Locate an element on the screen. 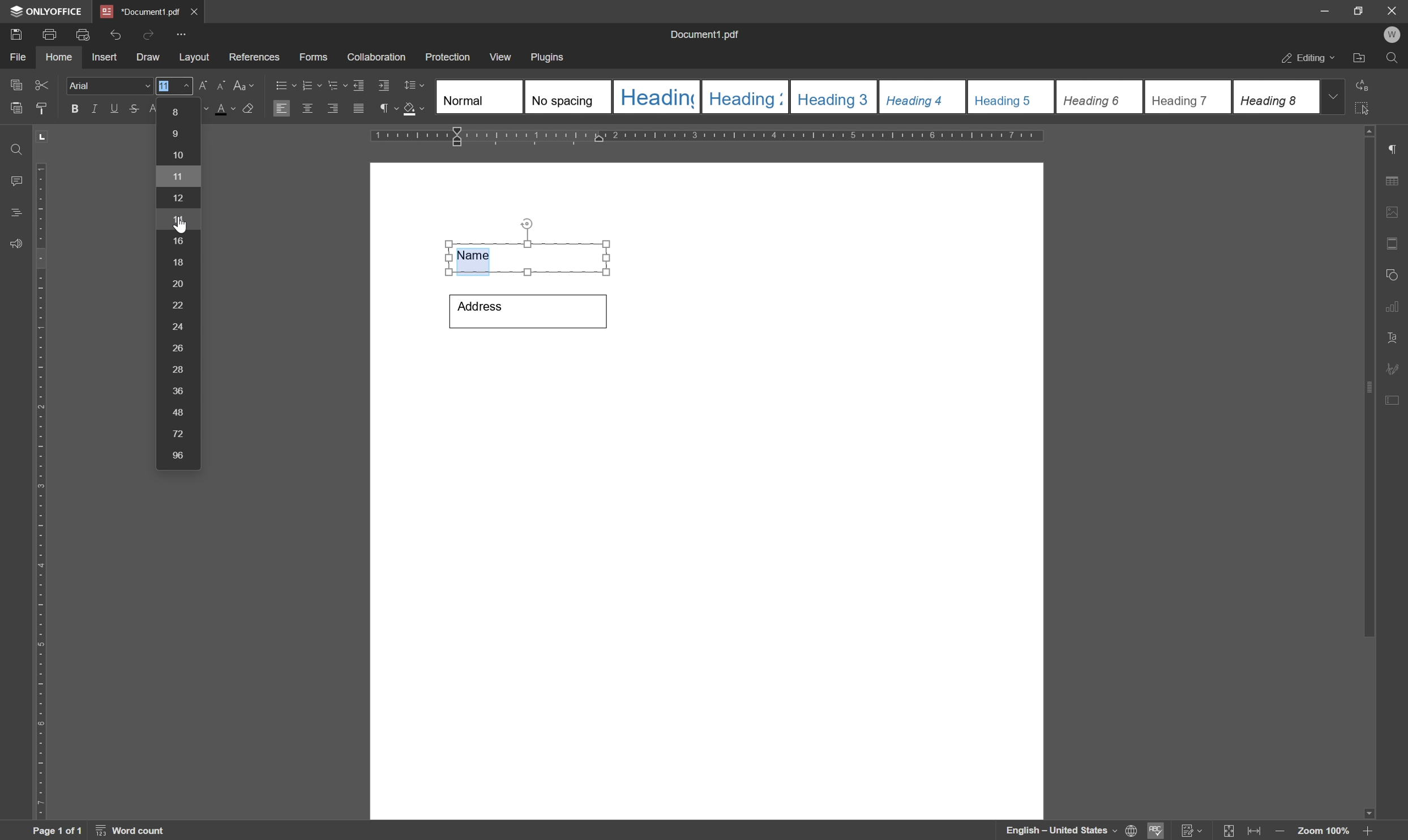 The height and width of the screenshot is (840, 1408). Align center is located at coordinates (307, 108).